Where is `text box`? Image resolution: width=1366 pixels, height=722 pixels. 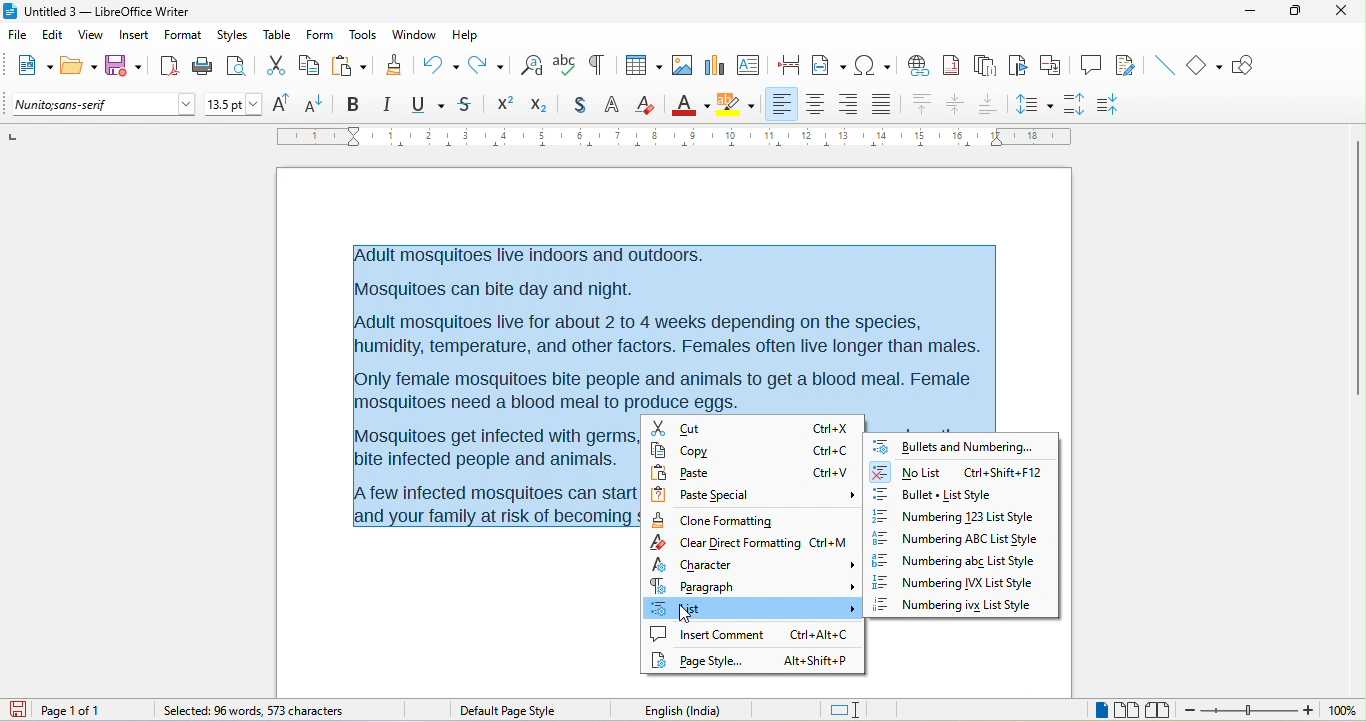 text box is located at coordinates (748, 64).